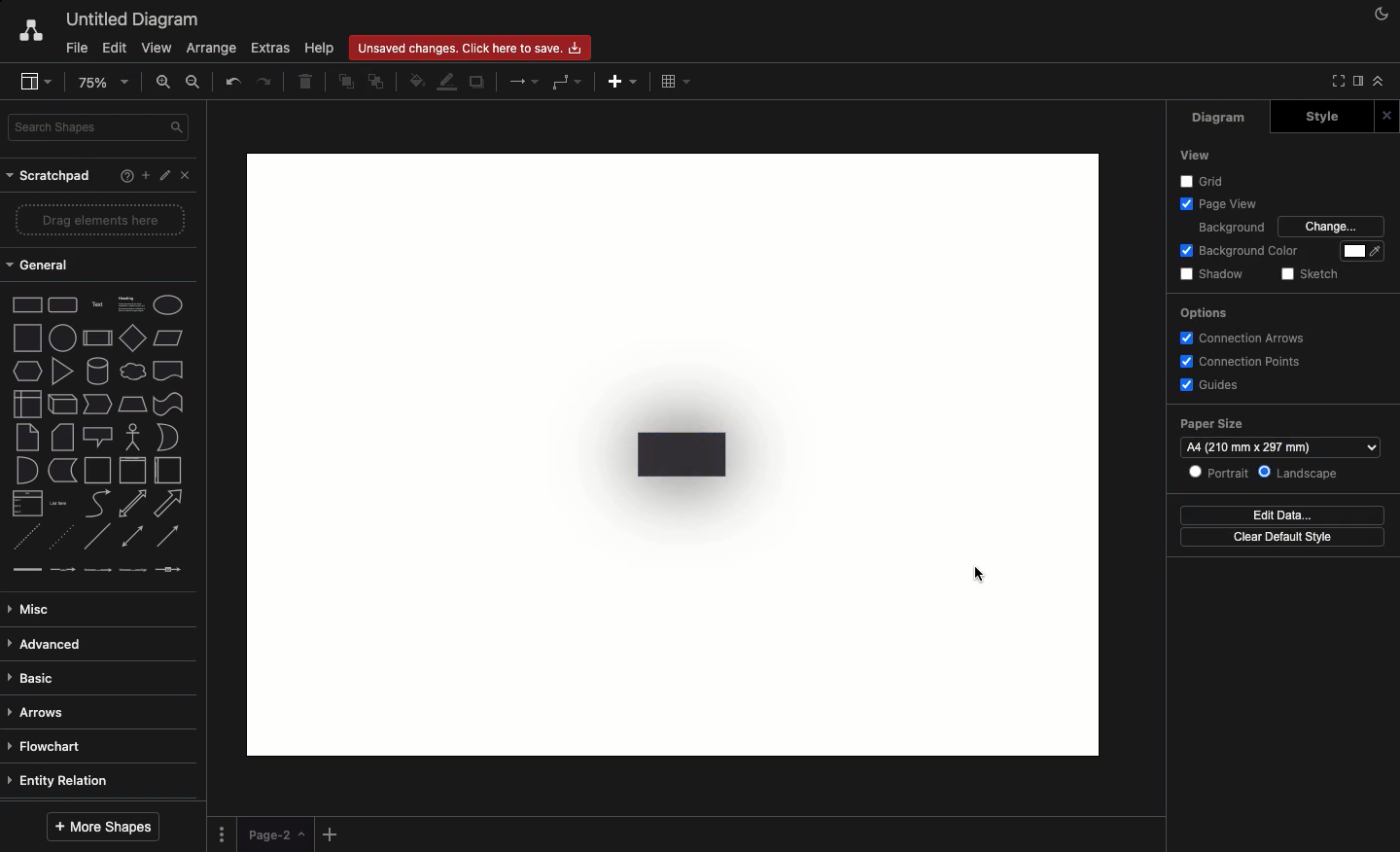 This screenshot has width=1400, height=852. Describe the element at coordinates (95, 372) in the screenshot. I see `cylinder` at that location.